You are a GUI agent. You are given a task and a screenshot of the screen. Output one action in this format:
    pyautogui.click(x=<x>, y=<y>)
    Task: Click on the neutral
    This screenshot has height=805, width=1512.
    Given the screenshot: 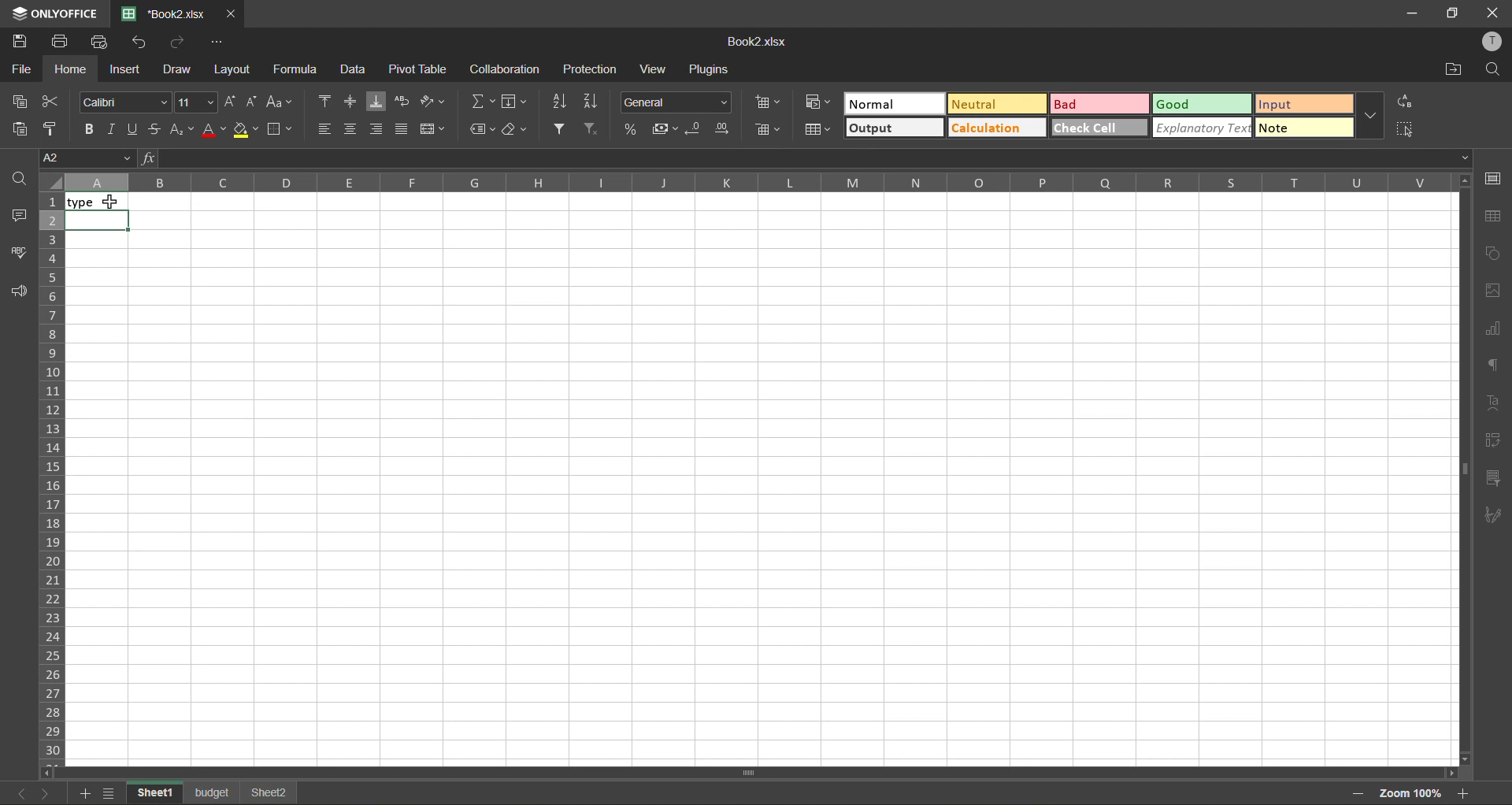 What is the action you would take?
    pyautogui.click(x=995, y=105)
    